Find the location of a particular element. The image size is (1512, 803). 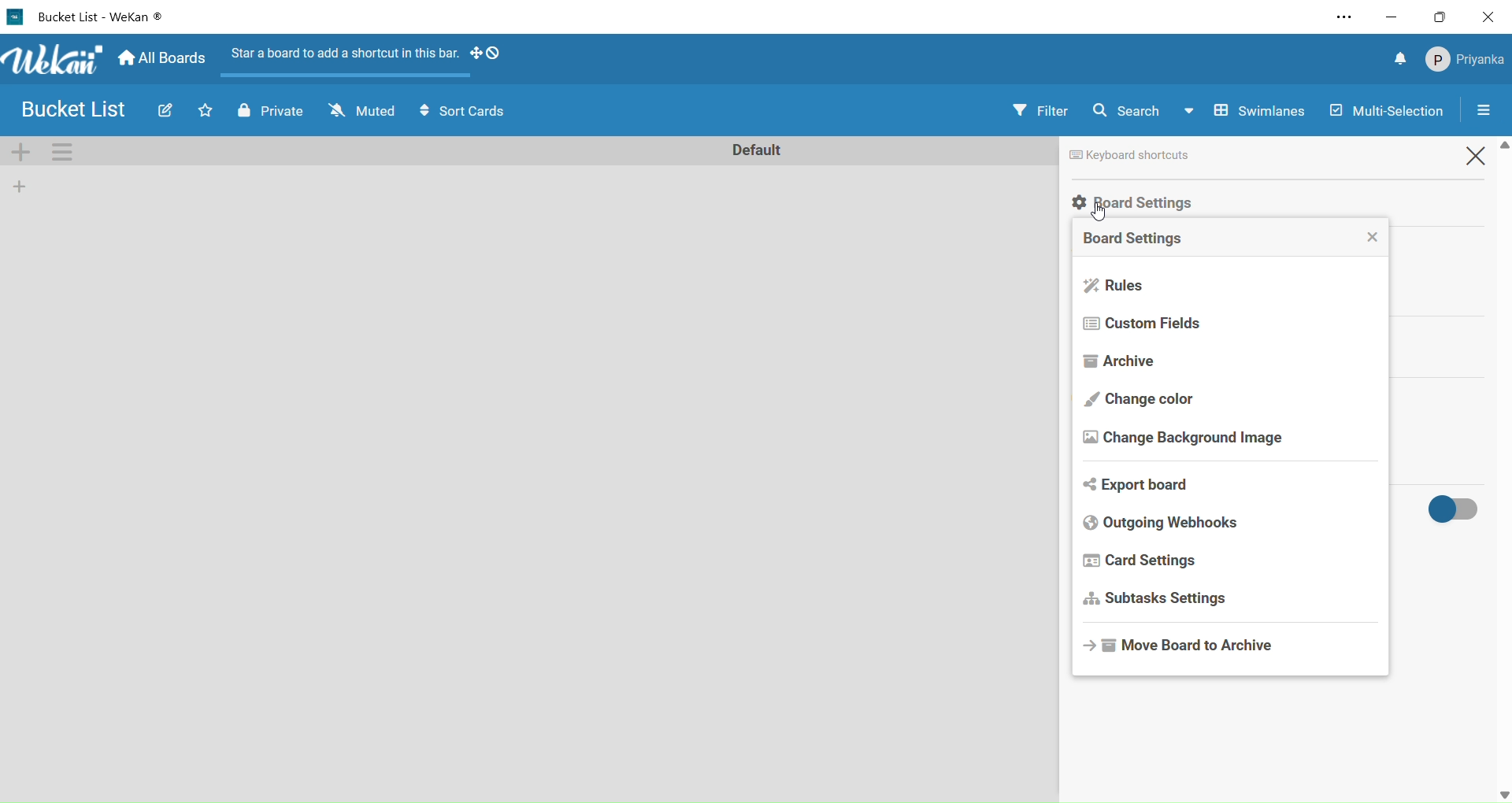

selecting board settings is located at coordinates (1160, 201).